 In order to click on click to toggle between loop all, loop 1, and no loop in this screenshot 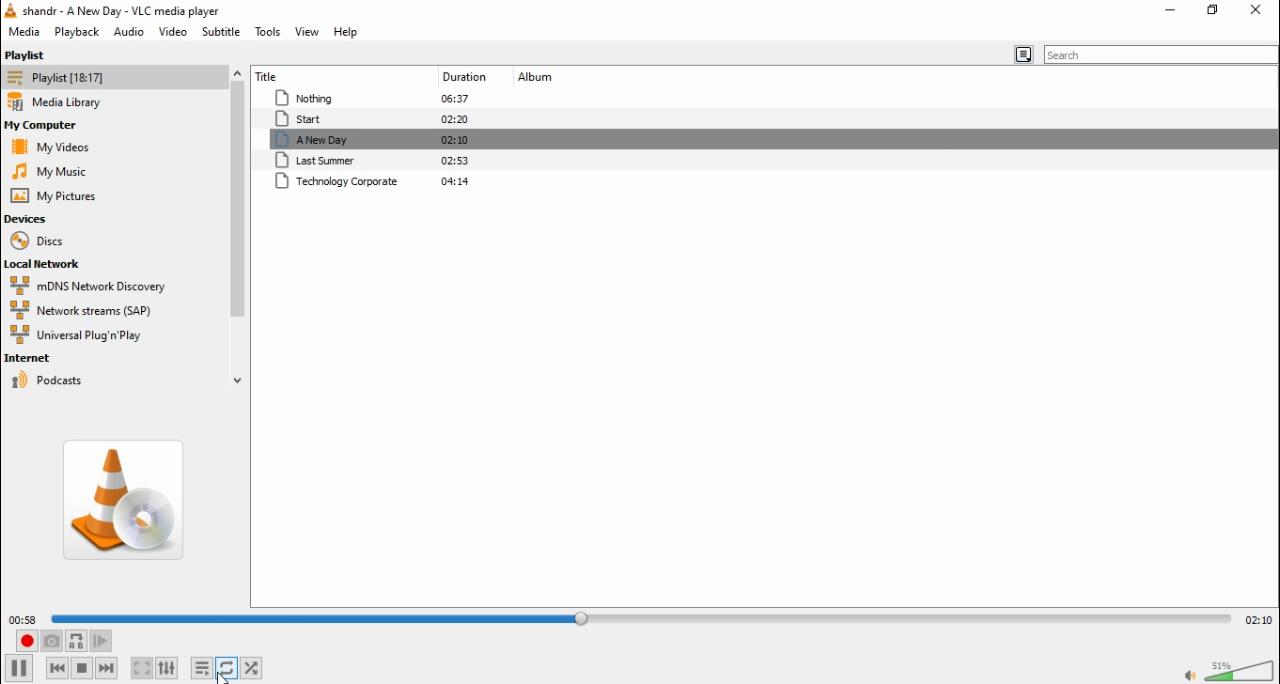, I will do `click(227, 668)`.